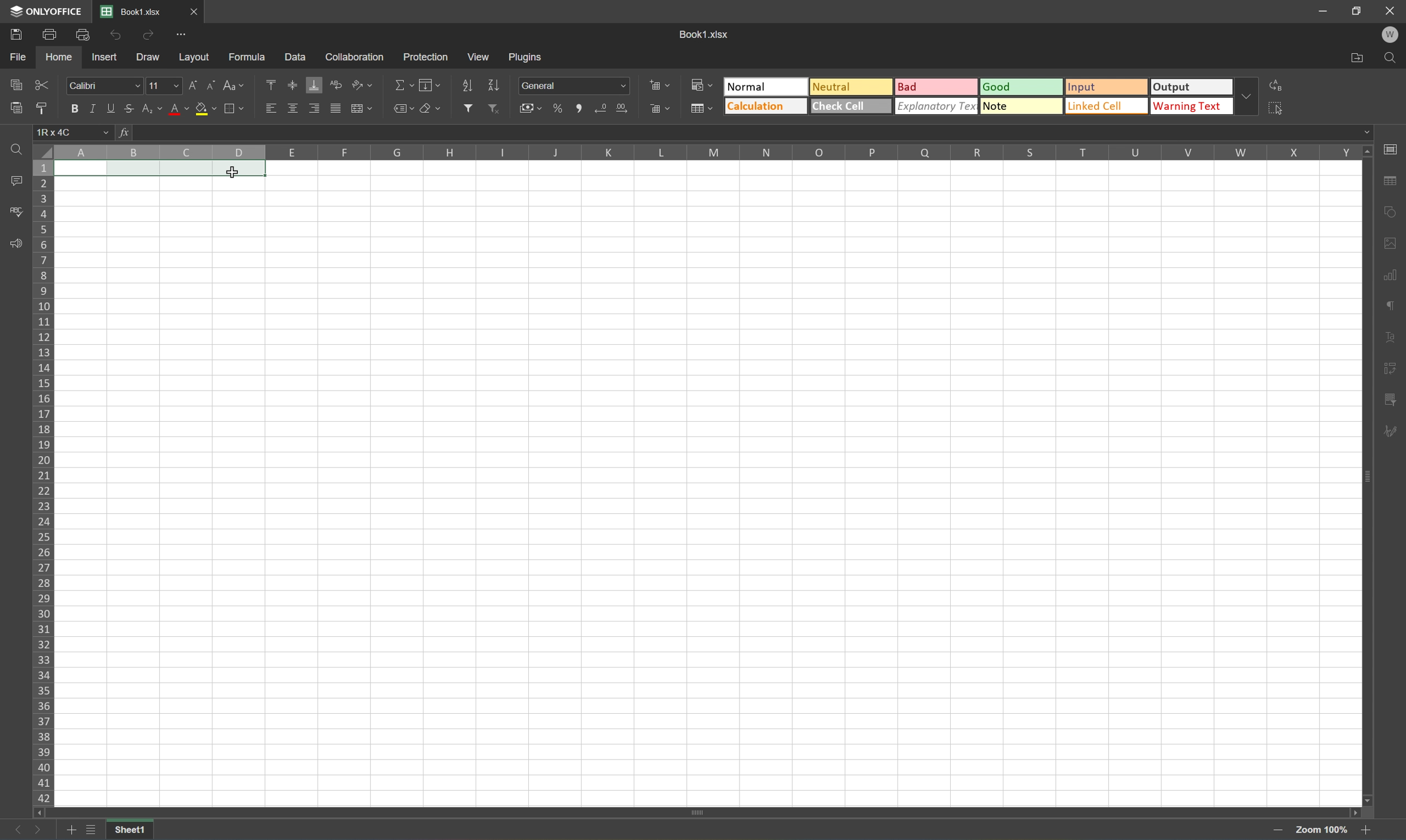 This screenshot has width=1406, height=840. I want to click on Copy, so click(16, 83).